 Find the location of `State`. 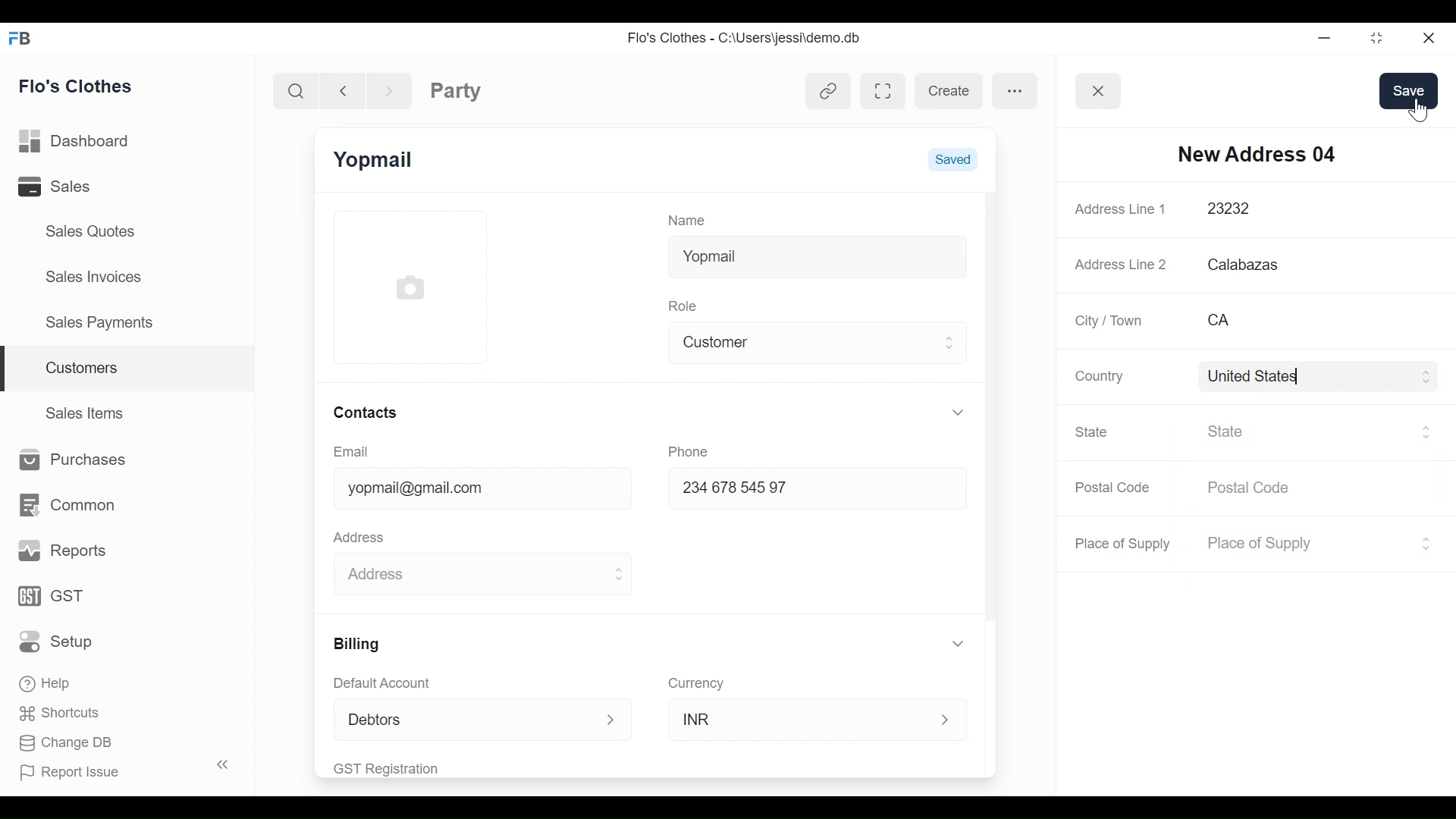

State is located at coordinates (1094, 431).